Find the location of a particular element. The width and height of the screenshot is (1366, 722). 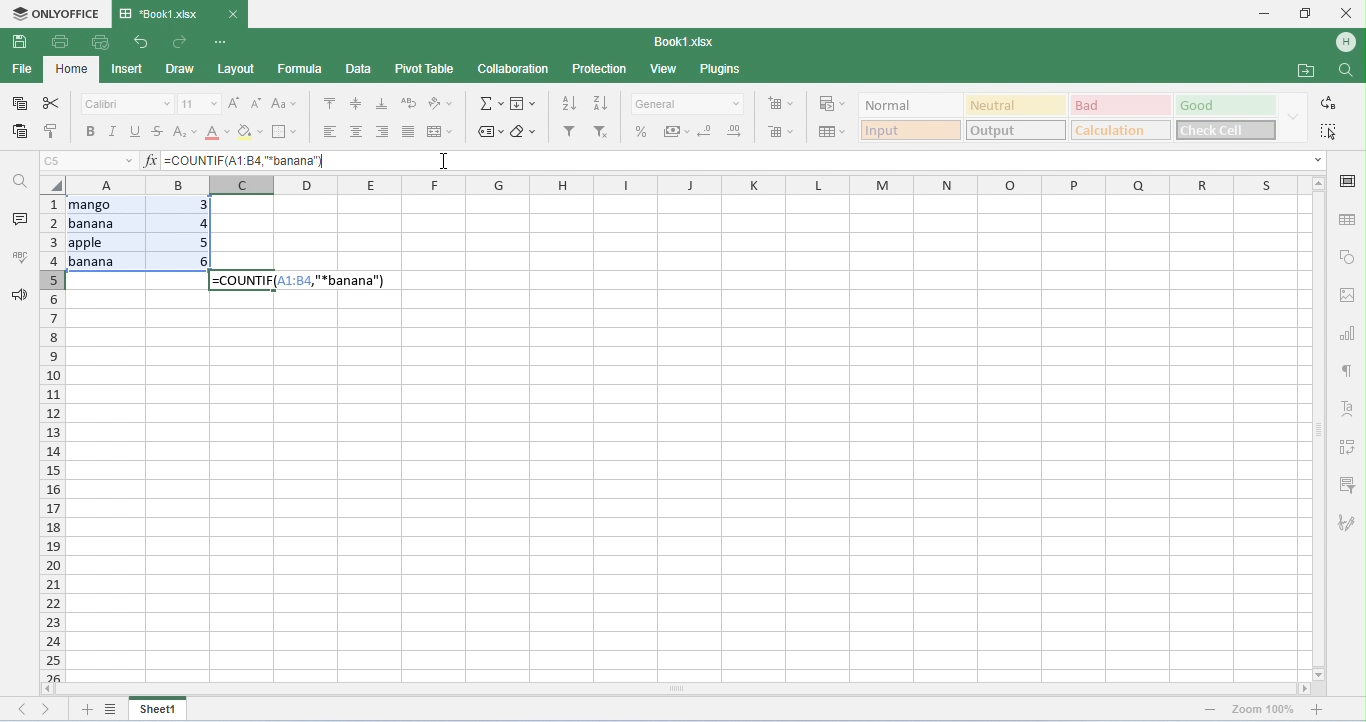

6 is located at coordinates (193, 262).